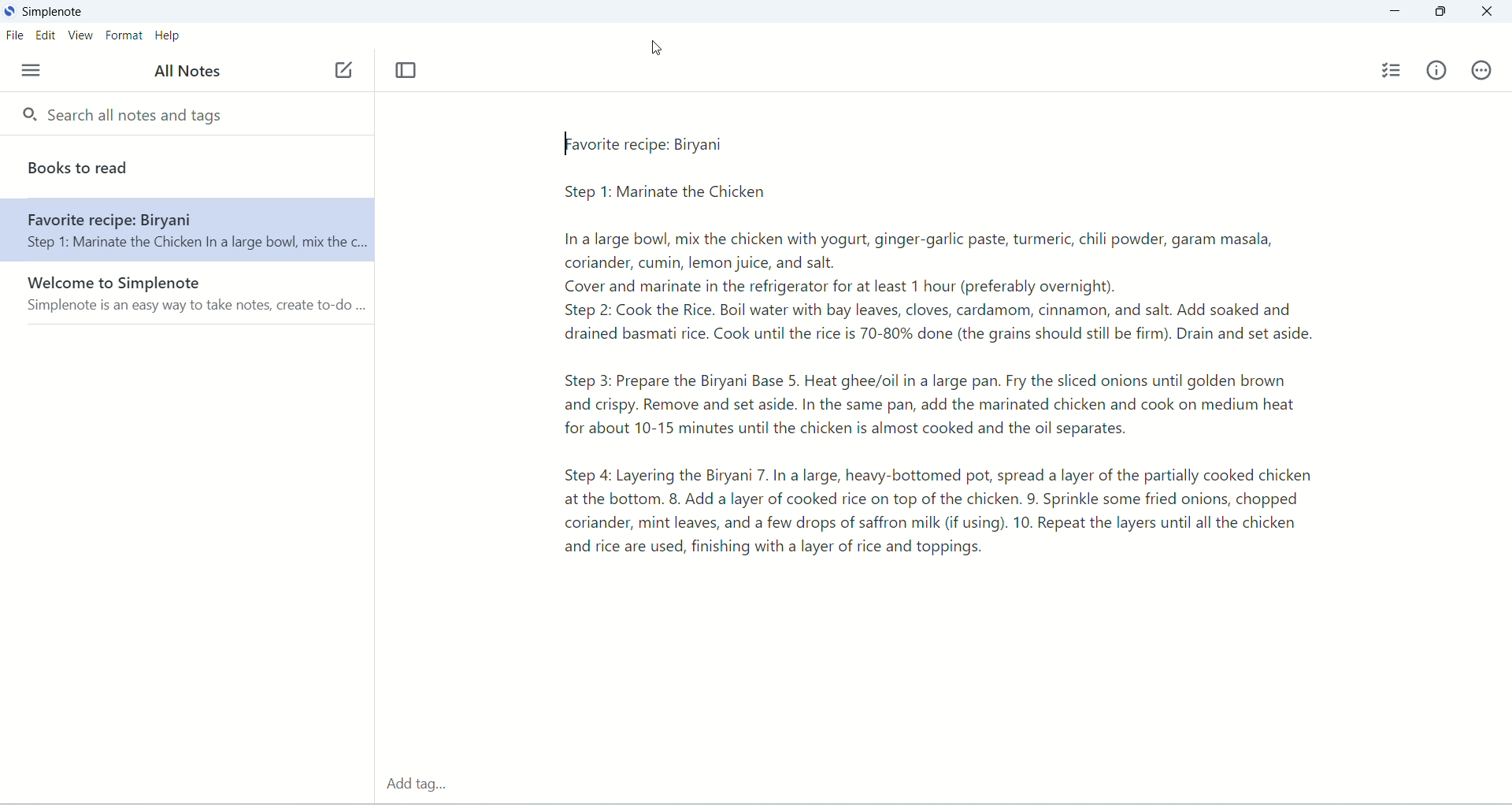  What do you see at coordinates (1392, 12) in the screenshot?
I see `minimize` at bounding box center [1392, 12].